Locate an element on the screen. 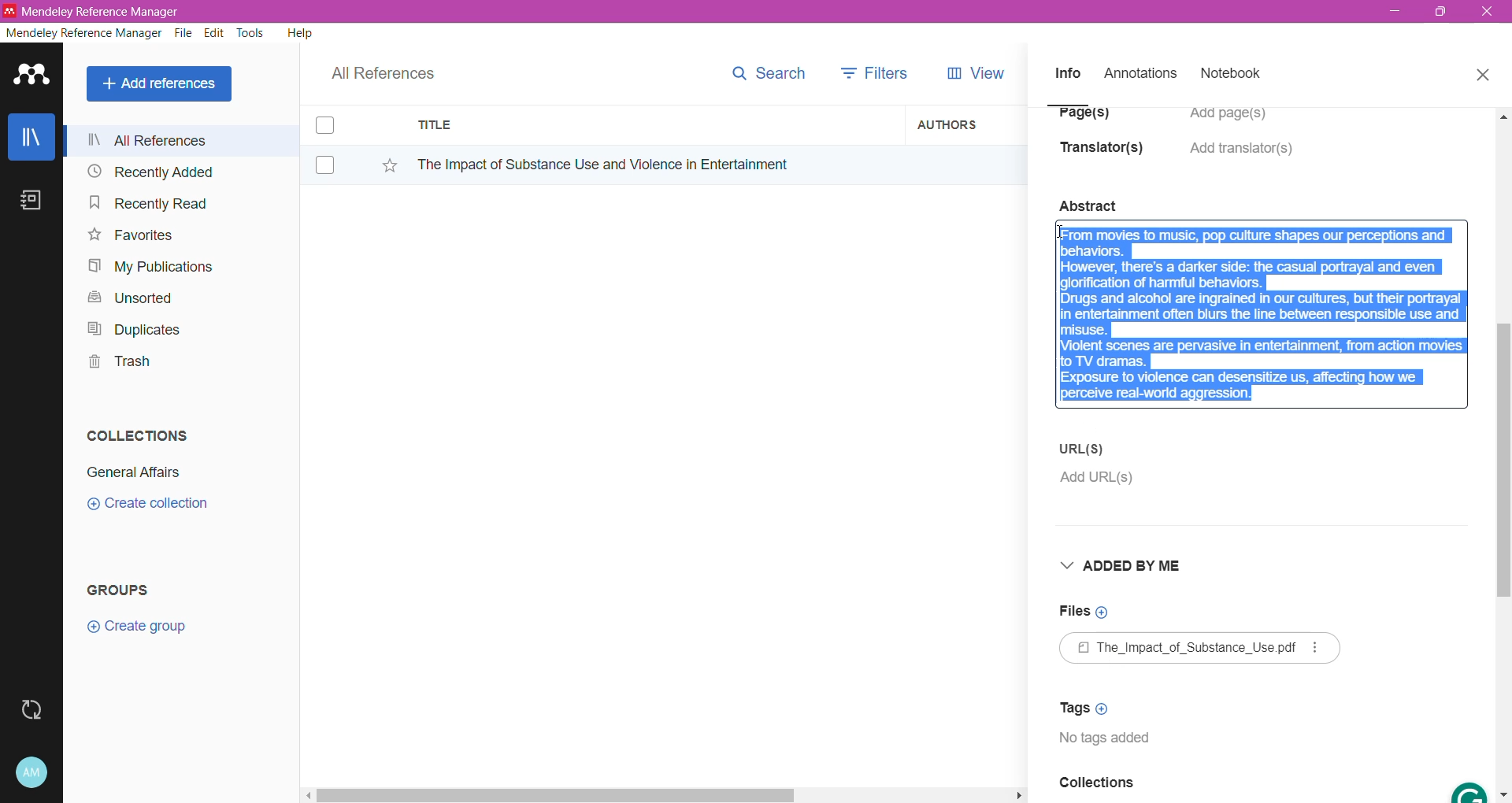  Help is located at coordinates (298, 32).